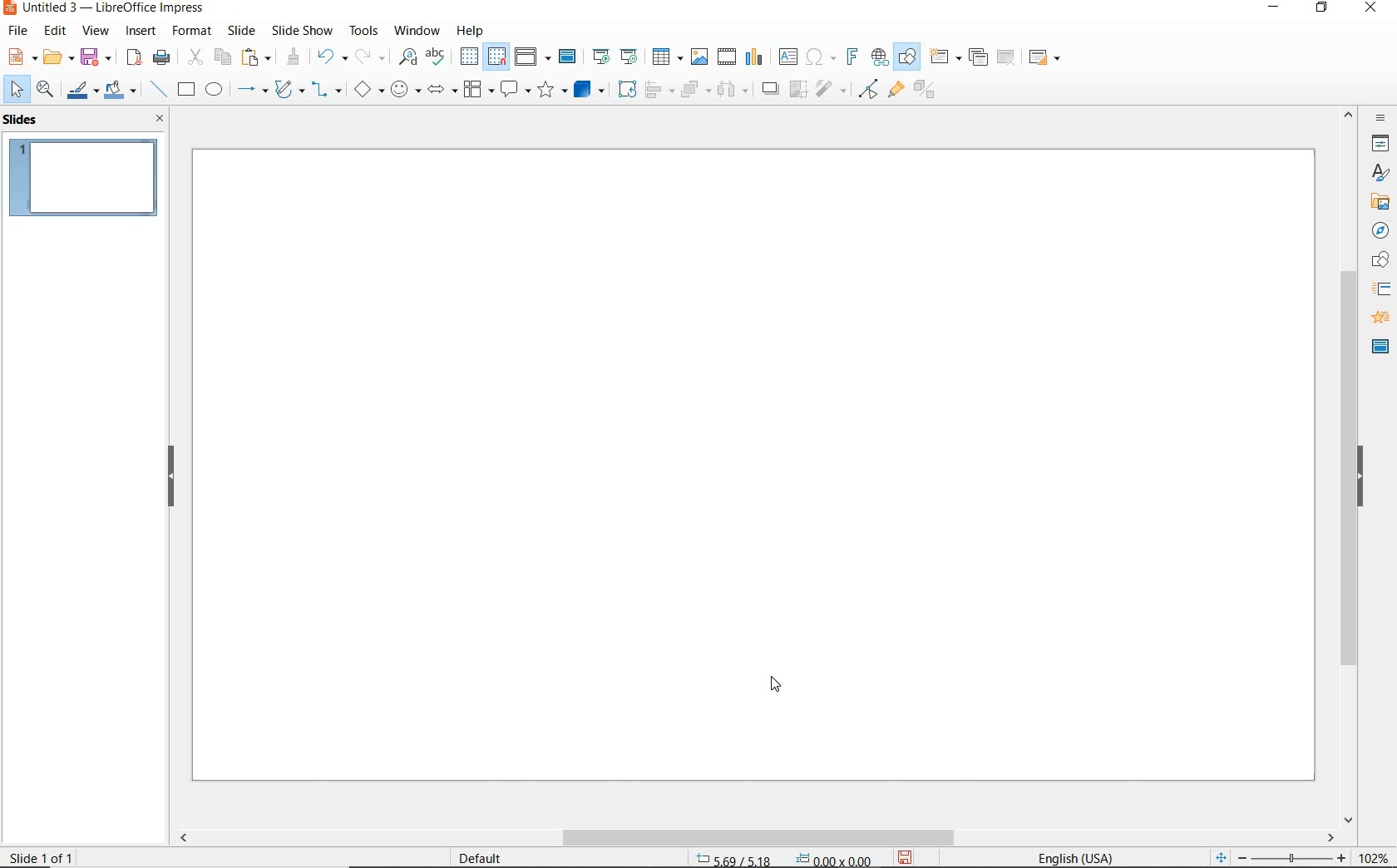 This screenshot has height=868, width=1397. Describe the element at coordinates (255, 57) in the screenshot. I see `PASTE` at that location.